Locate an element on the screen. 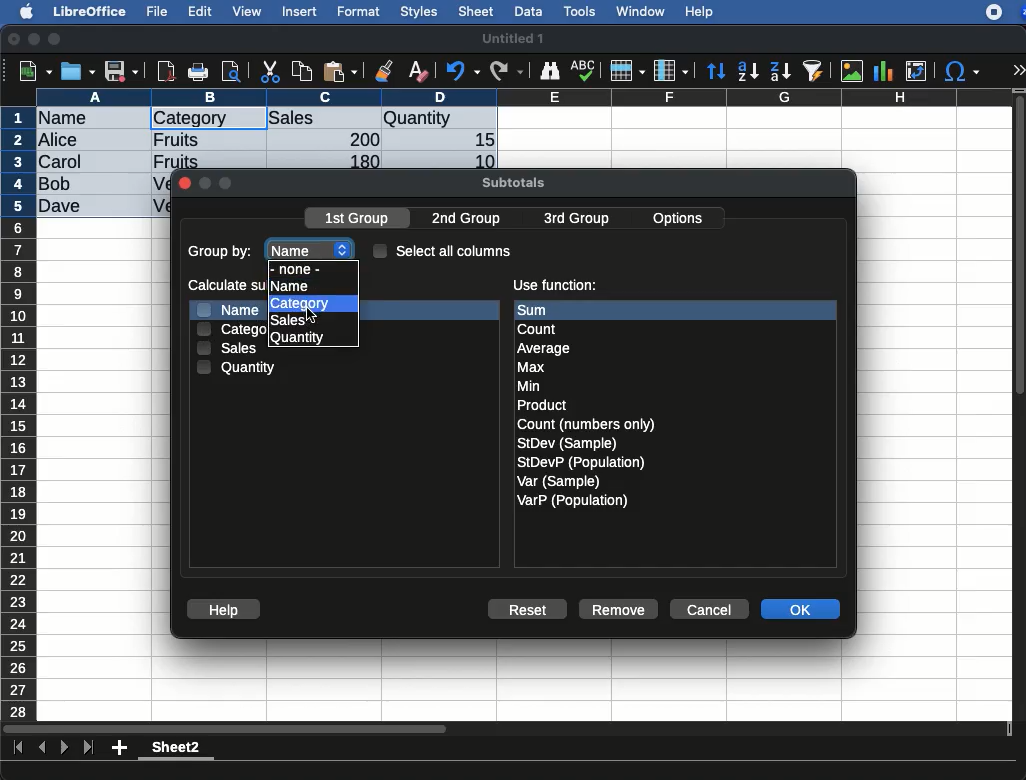  Fruits is located at coordinates (177, 139).